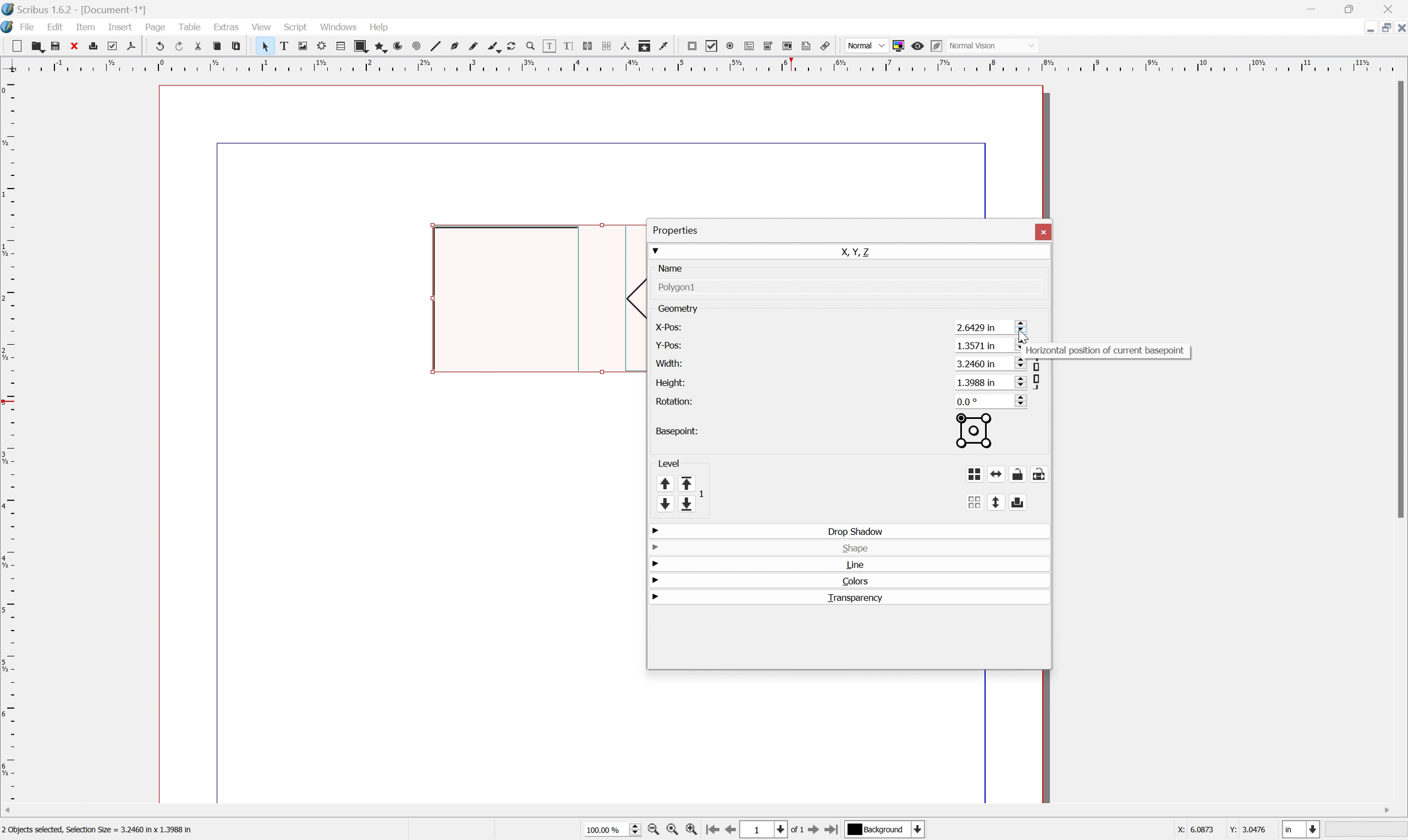  What do you see at coordinates (1043, 232) in the screenshot?
I see `close` at bounding box center [1043, 232].